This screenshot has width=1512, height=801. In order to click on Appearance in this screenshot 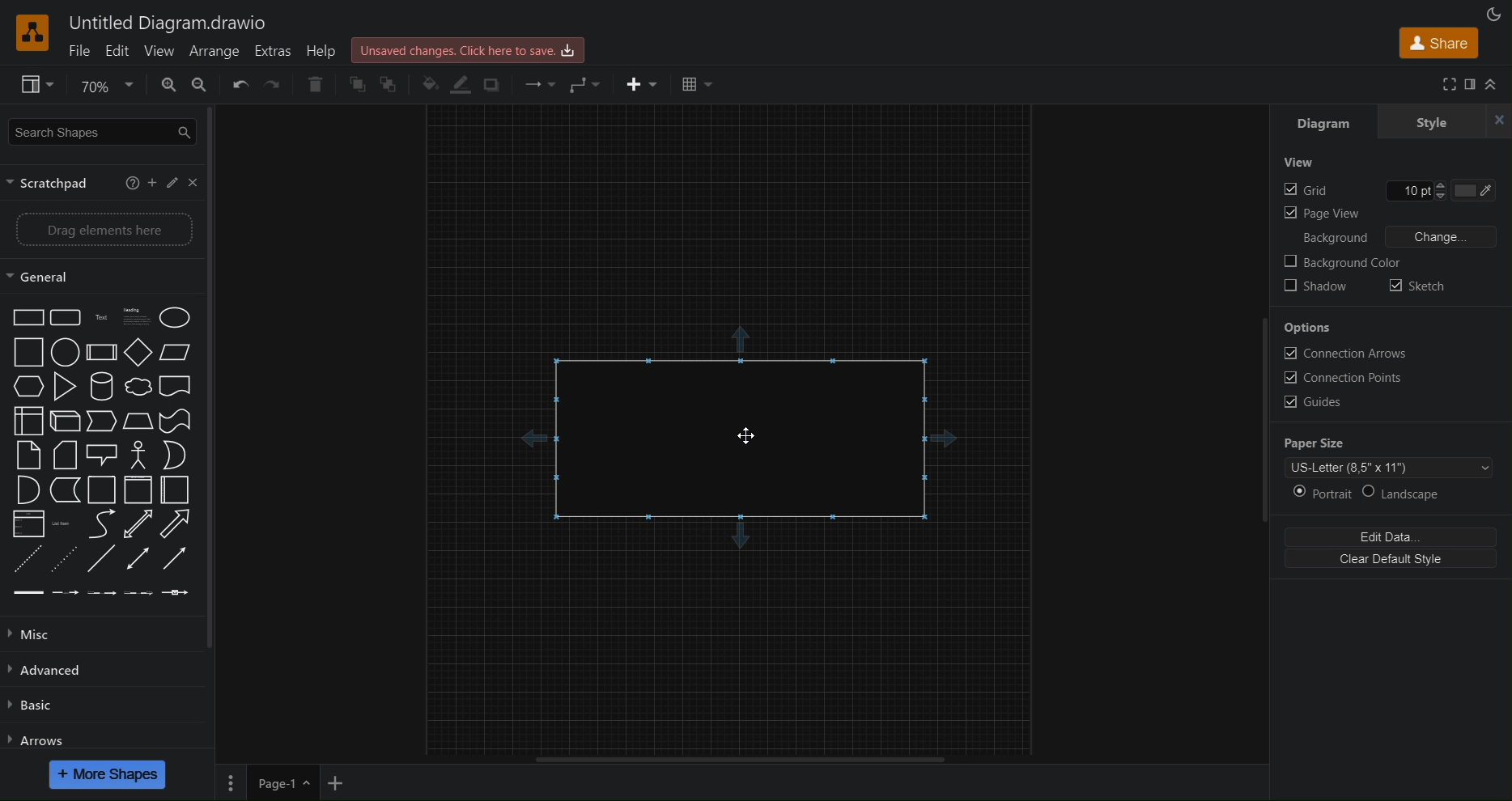, I will do `click(1491, 13)`.